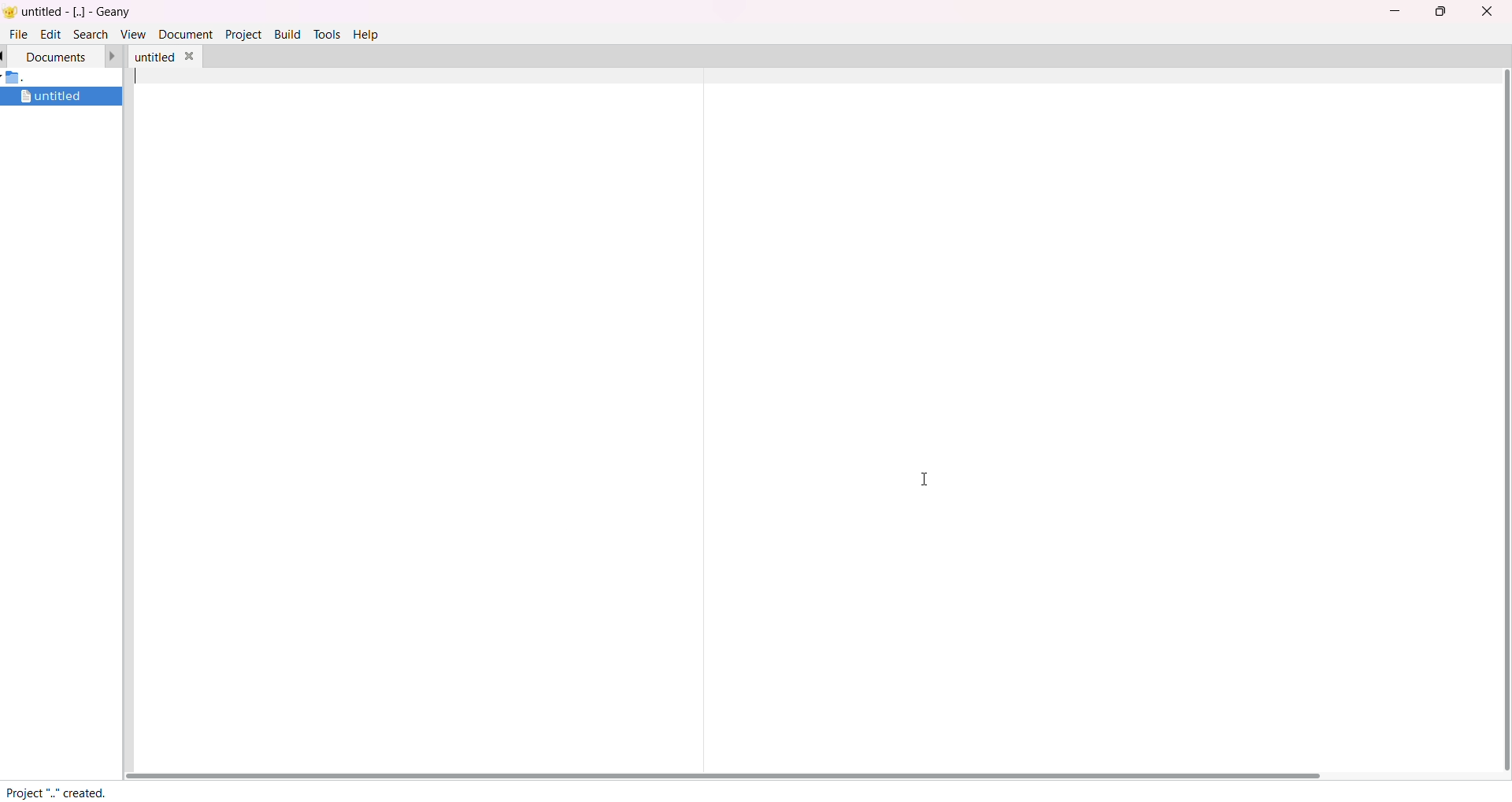 Image resolution: width=1512 pixels, height=802 pixels. I want to click on maximize, so click(1440, 12).